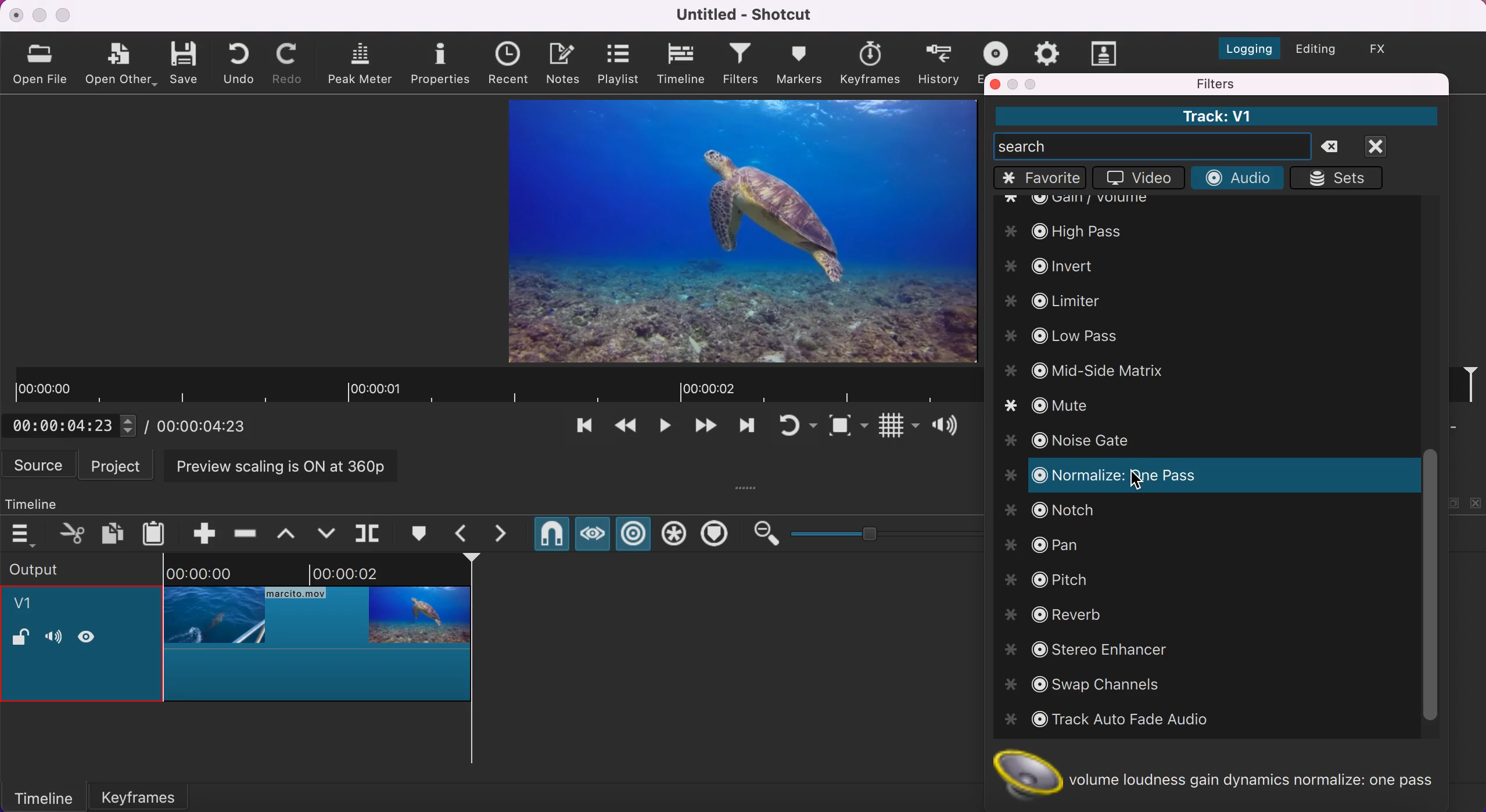 The height and width of the screenshot is (812, 1486). Describe the element at coordinates (196, 531) in the screenshot. I see `append` at that location.